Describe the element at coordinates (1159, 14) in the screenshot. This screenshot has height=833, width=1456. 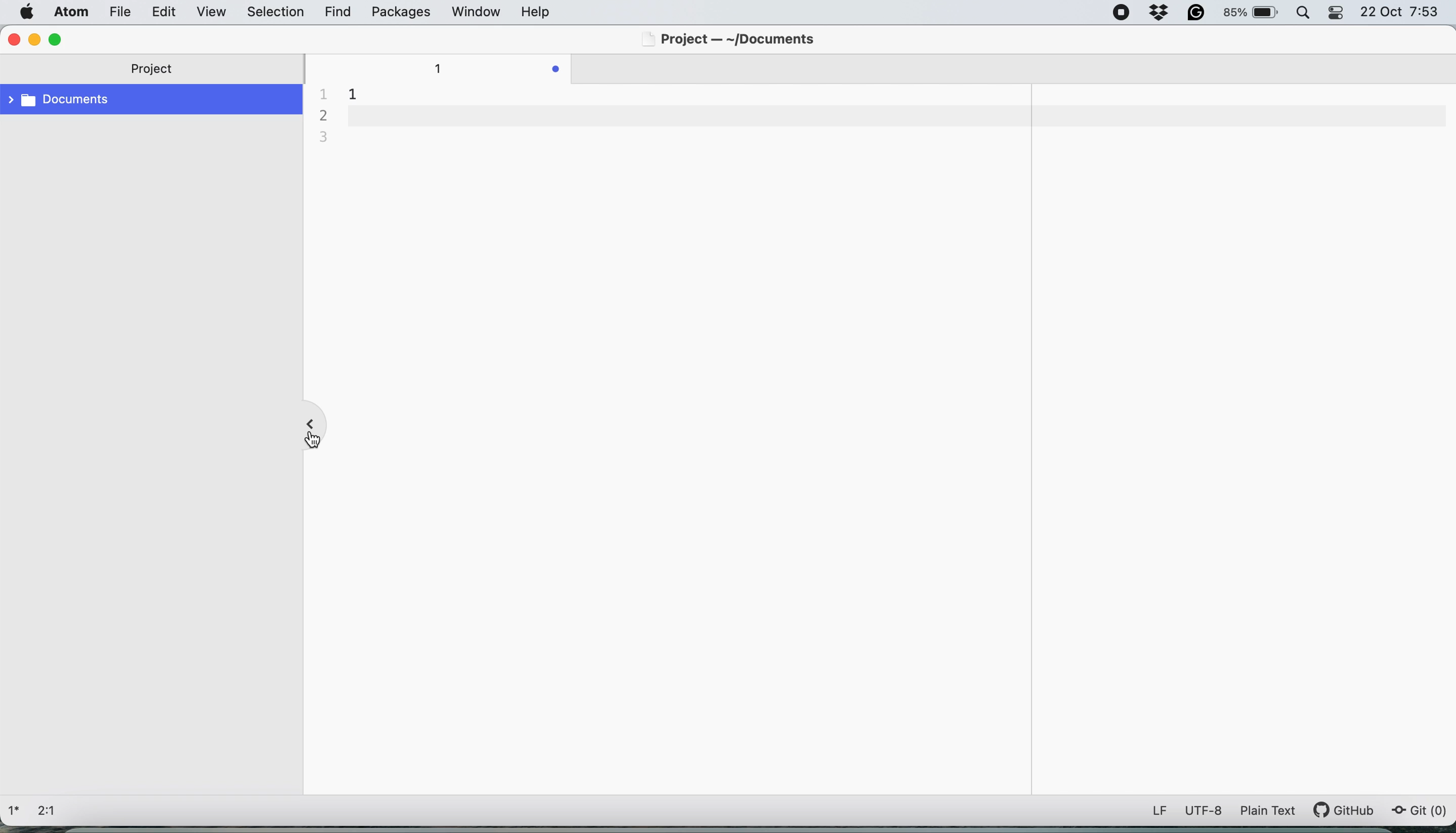
I see `dropbox` at that location.